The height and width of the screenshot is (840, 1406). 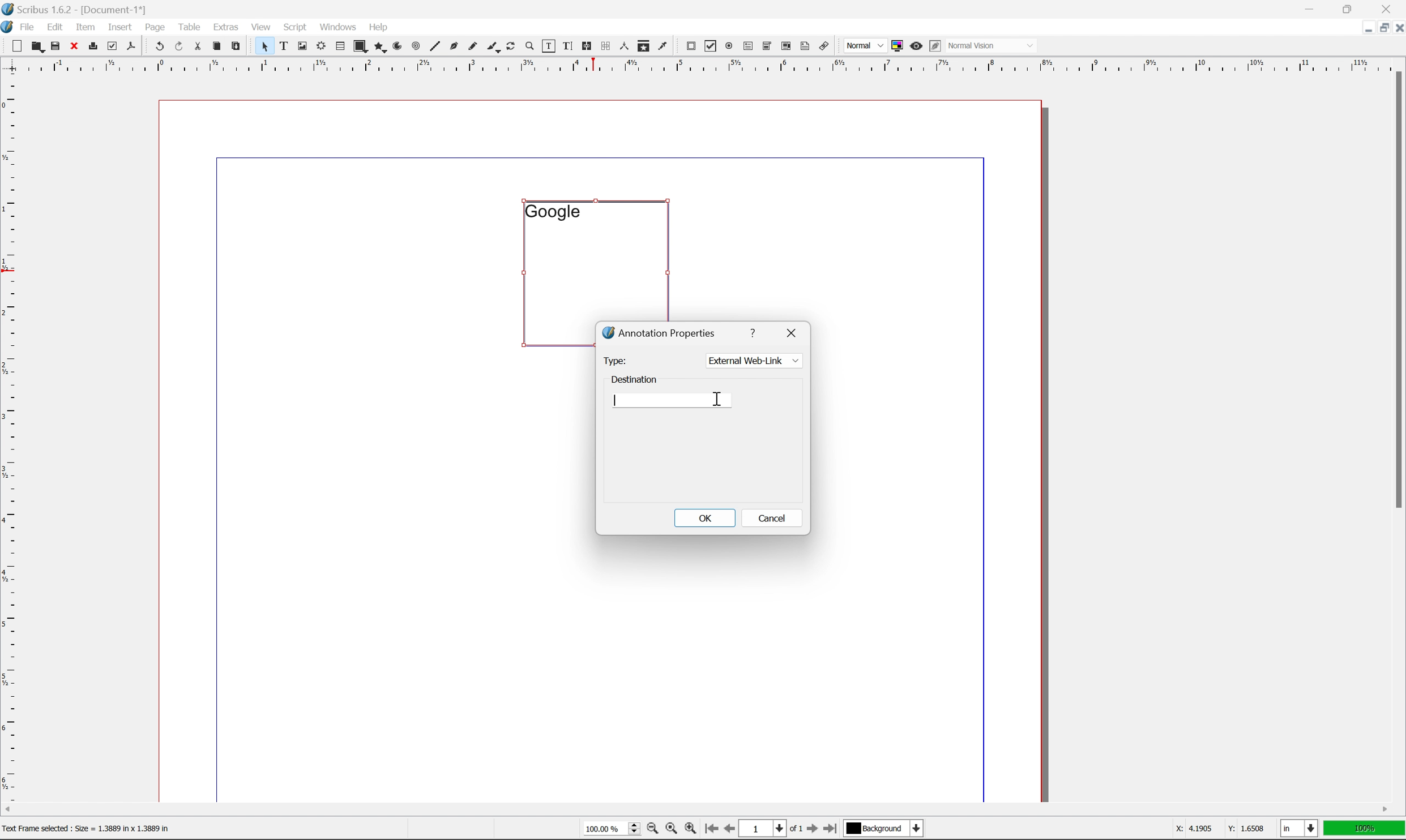 I want to click on Typing cursor, so click(x=616, y=400).